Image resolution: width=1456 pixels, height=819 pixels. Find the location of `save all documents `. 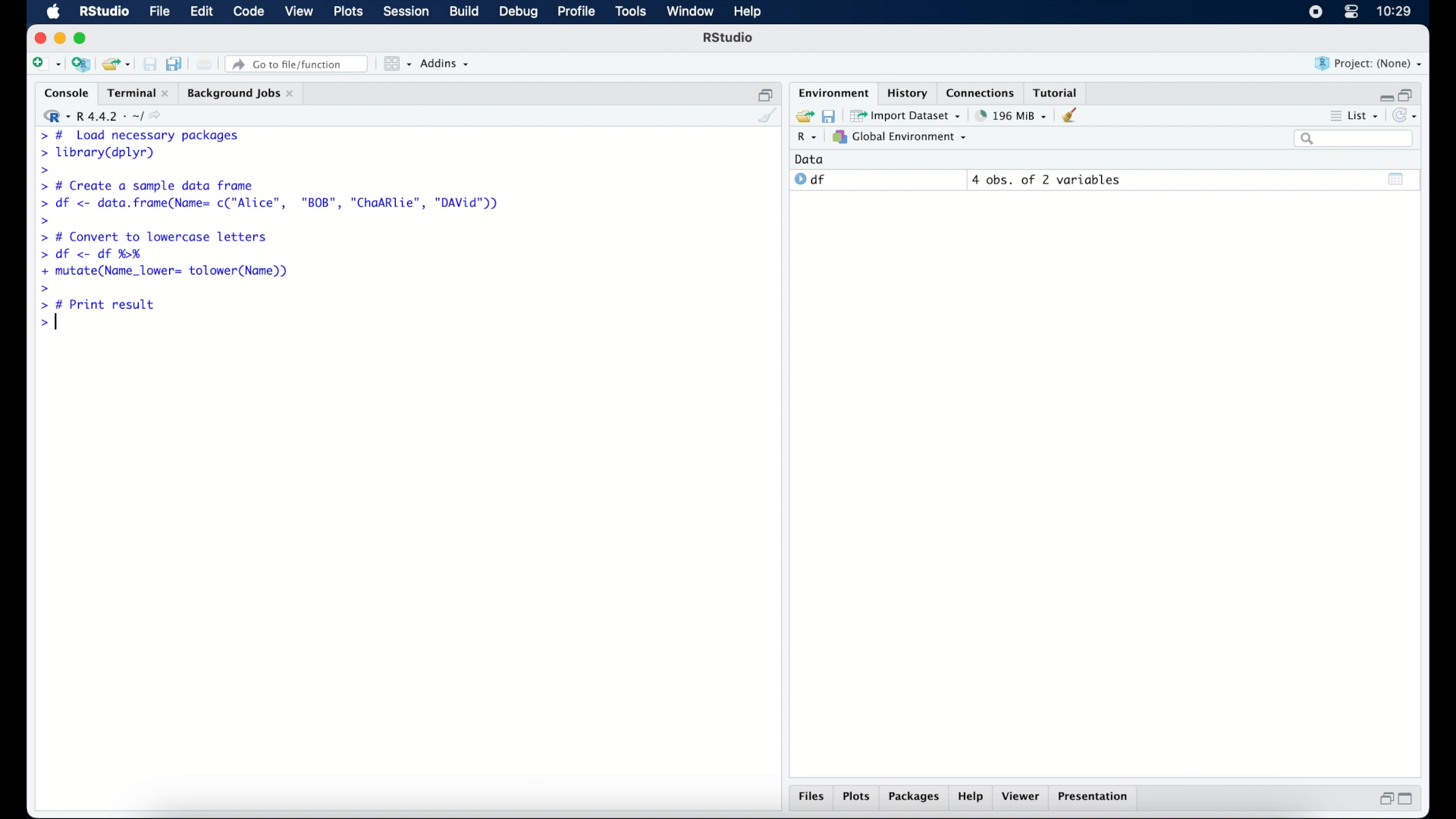

save all documents  is located at coordinates (176, 63).